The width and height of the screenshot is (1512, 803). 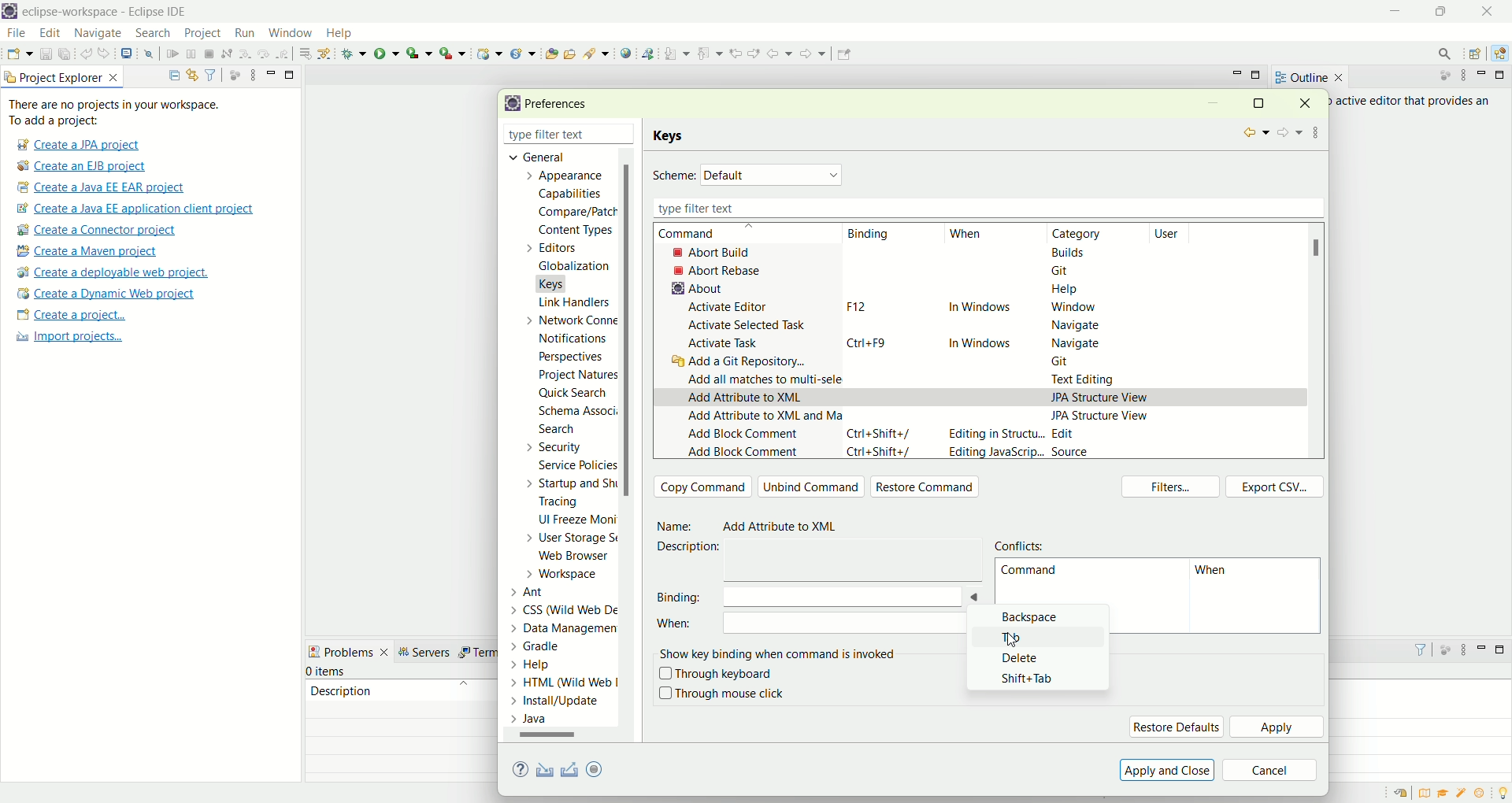 I want to click on CSS (Wild Web De, so click(x=568, y=608).